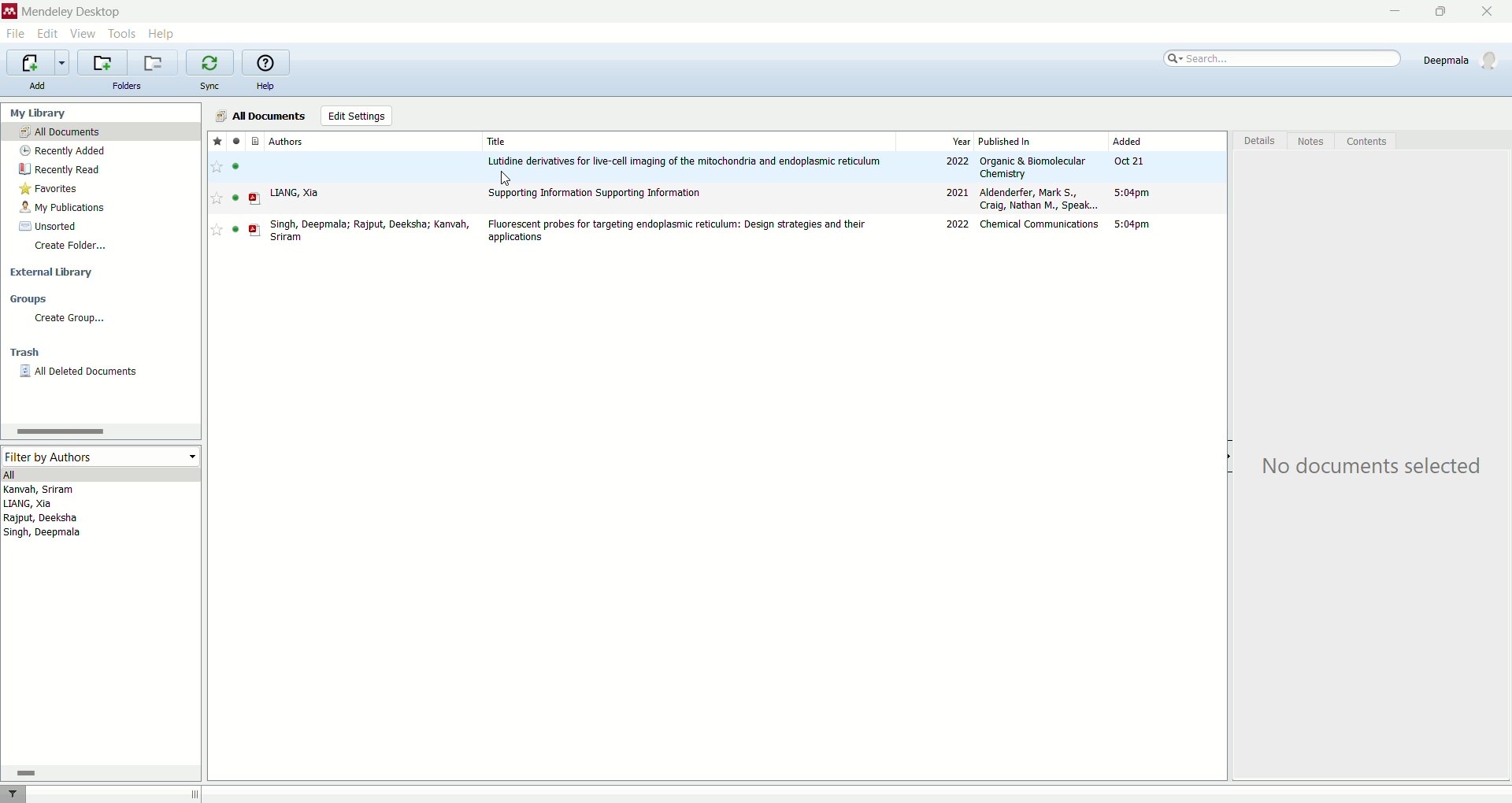 The width and height of the screenshot is (1512, 803). Describe the element at coordinates (505, 178) in the screenshot. I see `cursor` at that location.